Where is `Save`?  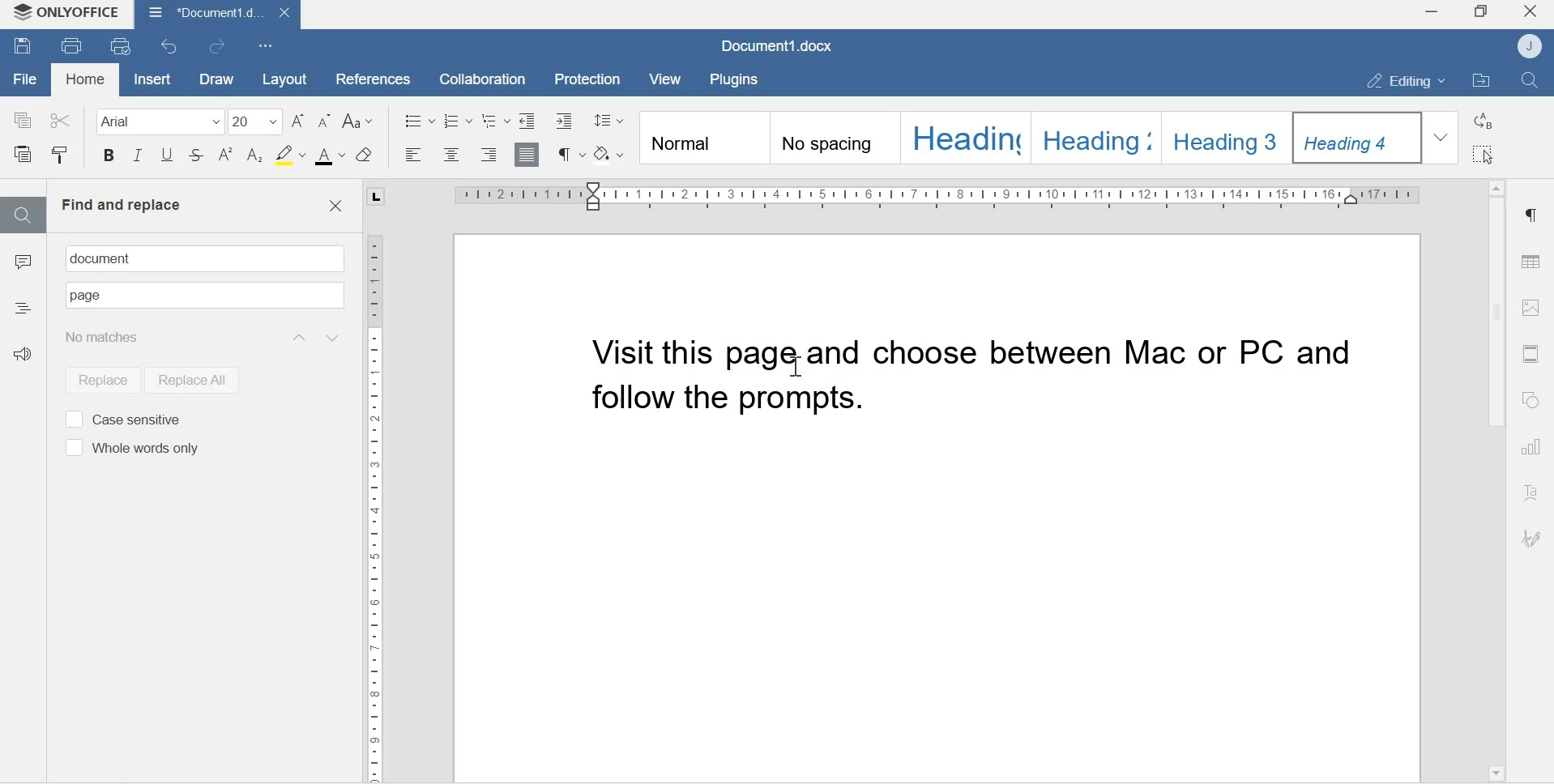 Save is located at coordinates (23, 48).